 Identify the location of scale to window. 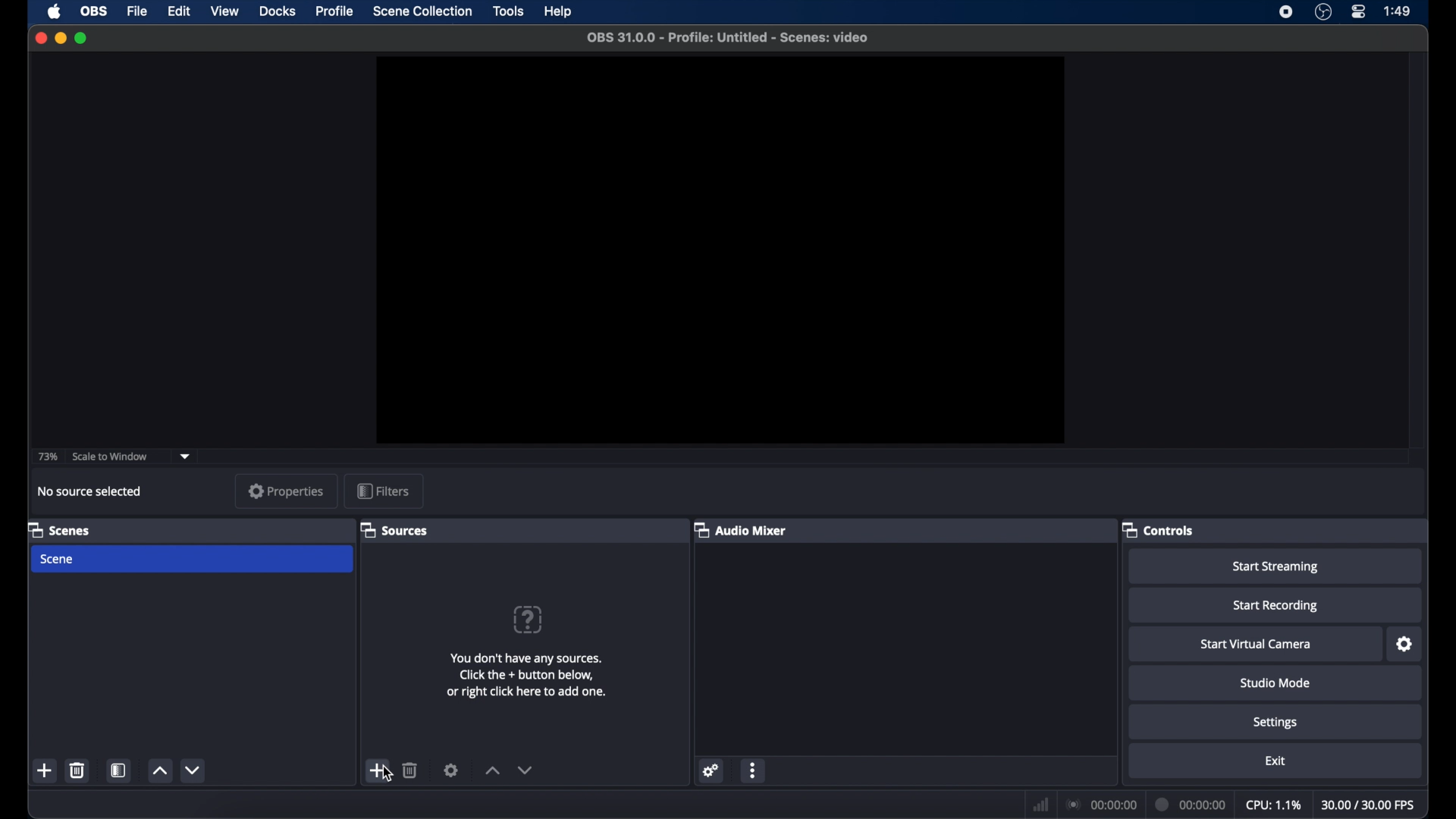
(111, 457).